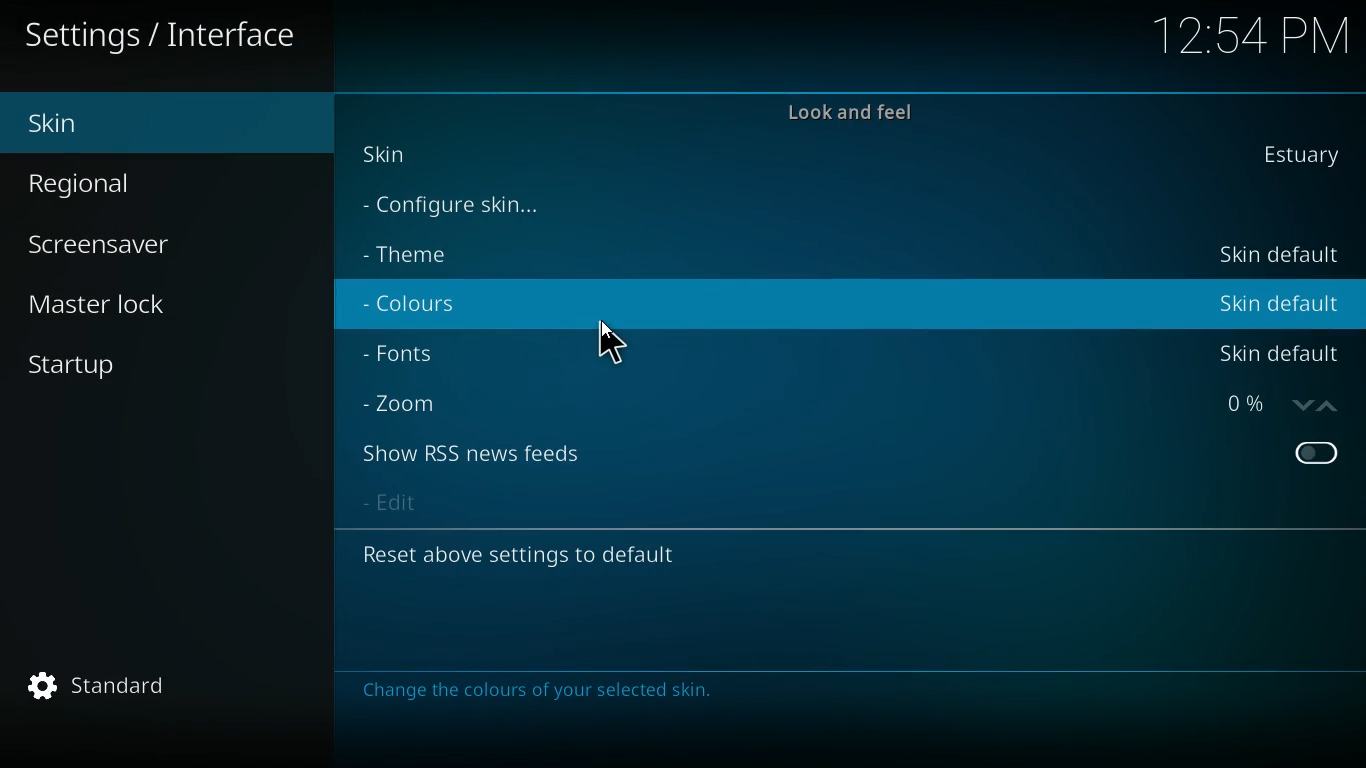 This screenshot has height=768, width=1366. What do you see at coordinates (1252, 33) in the screenshot?
I see `time` at bounding box center [1252, 33].